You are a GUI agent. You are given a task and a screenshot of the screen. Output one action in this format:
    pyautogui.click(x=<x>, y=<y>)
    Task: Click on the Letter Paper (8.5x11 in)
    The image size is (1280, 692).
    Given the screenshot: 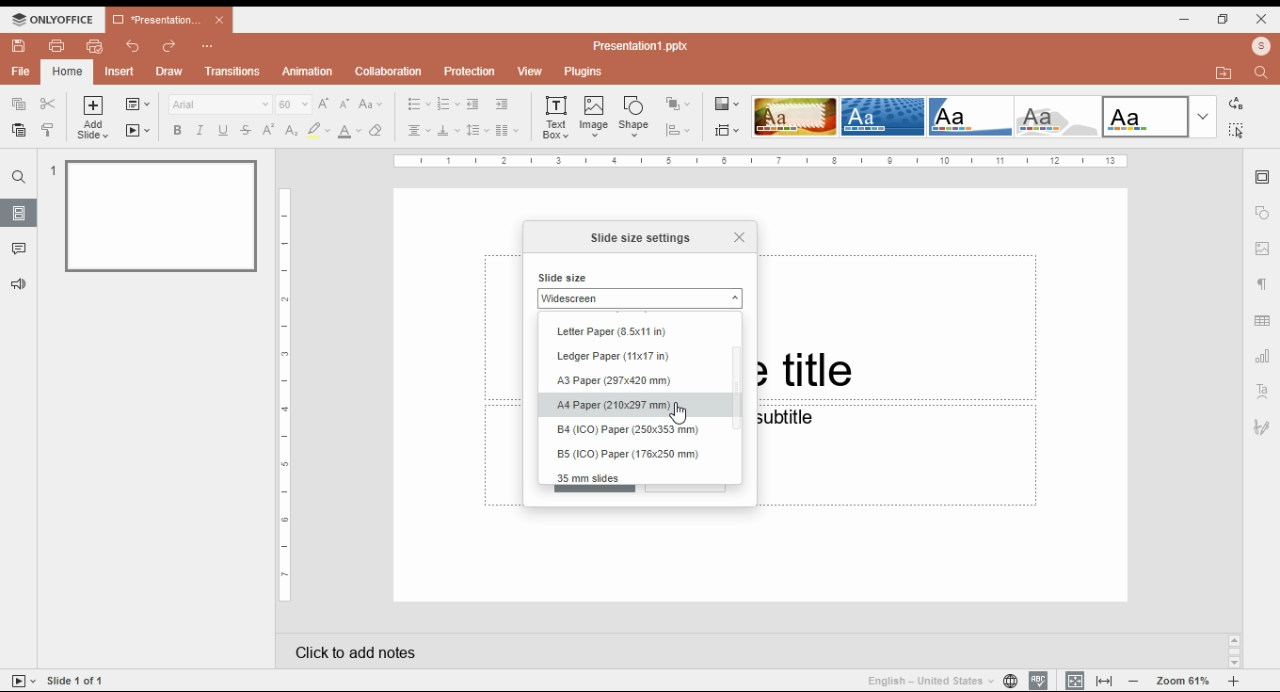 What is the action you would take?
    pyautogui.click(x=612, y=333)
    